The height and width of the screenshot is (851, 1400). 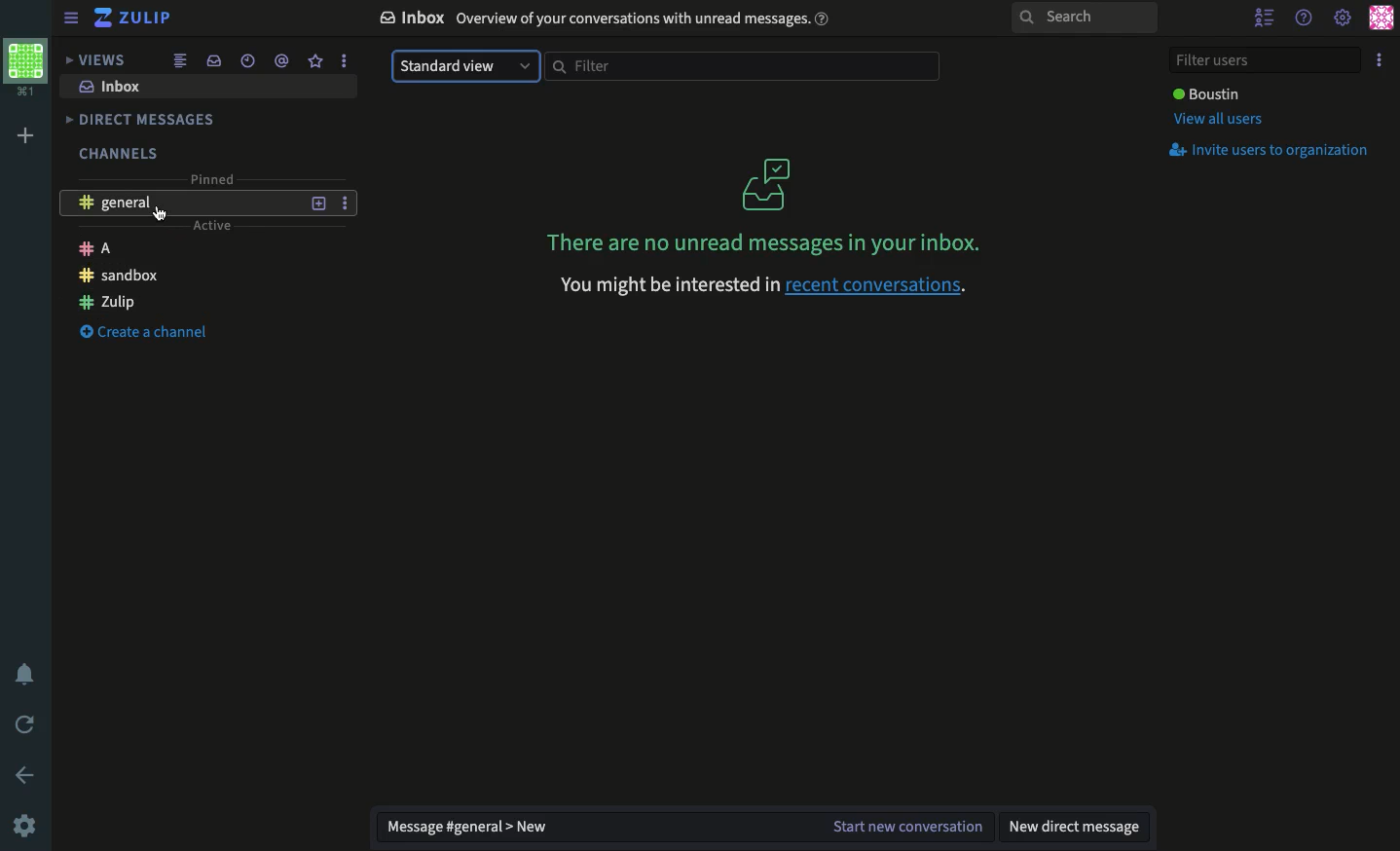 What do you see at coordinates (285, 60) in the screenshot?
I see `Mention` at bounding box center [285, 60].